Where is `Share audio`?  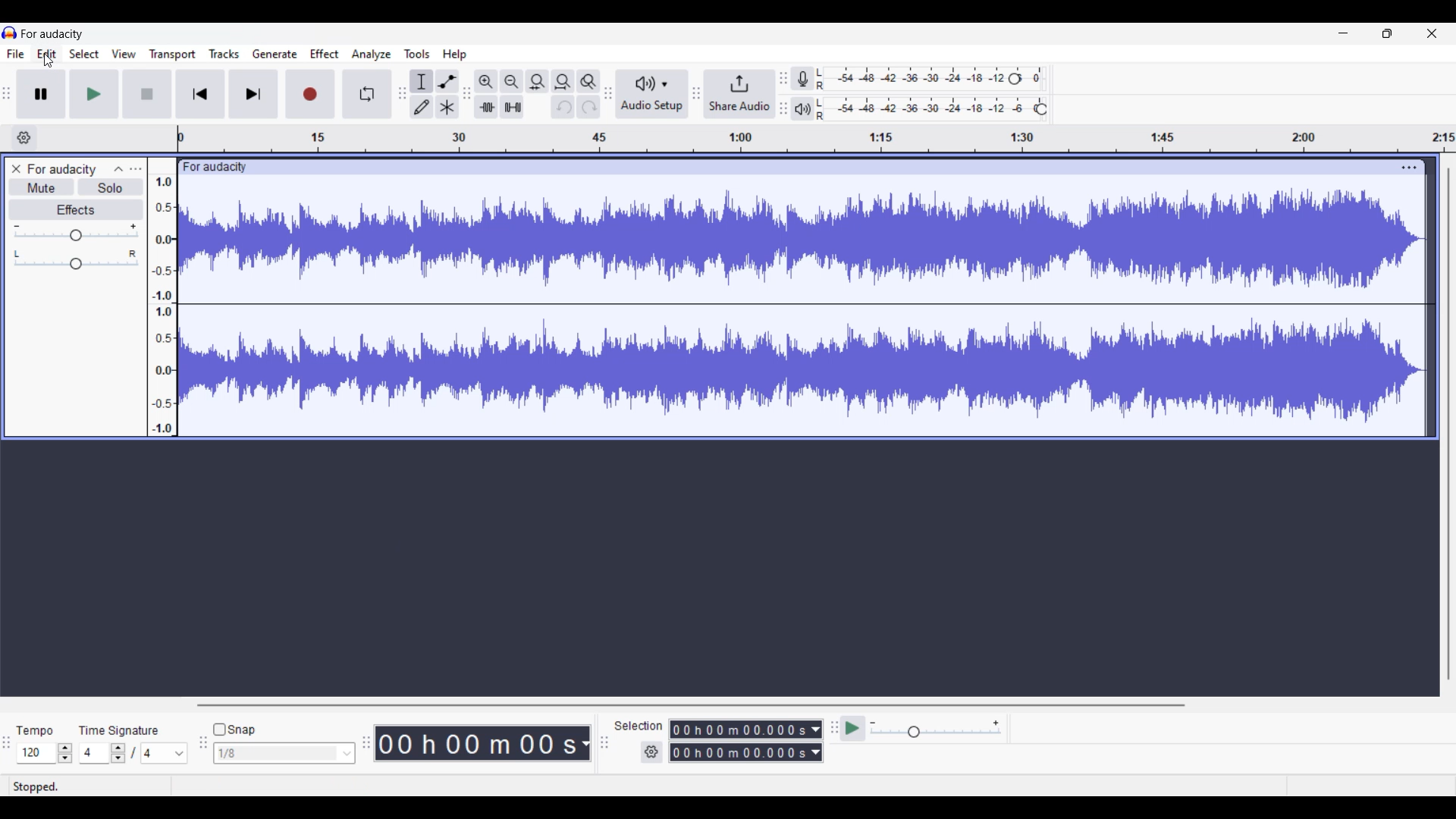 Share audio is located at coordinates (739, 94).